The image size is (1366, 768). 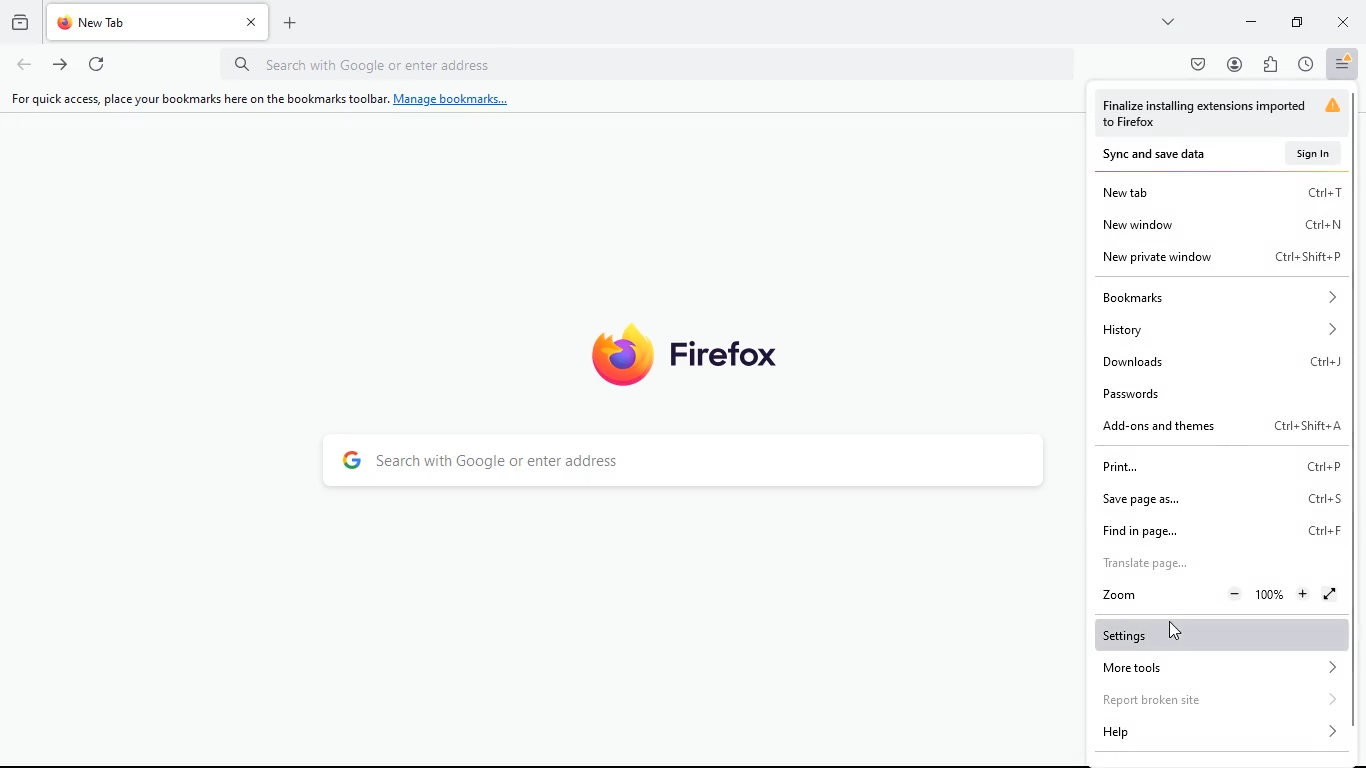 What do you see at coordinates (1219, 426) in the screenshot?
I see `add-ons and themes` at bounding box center [1219, 426].